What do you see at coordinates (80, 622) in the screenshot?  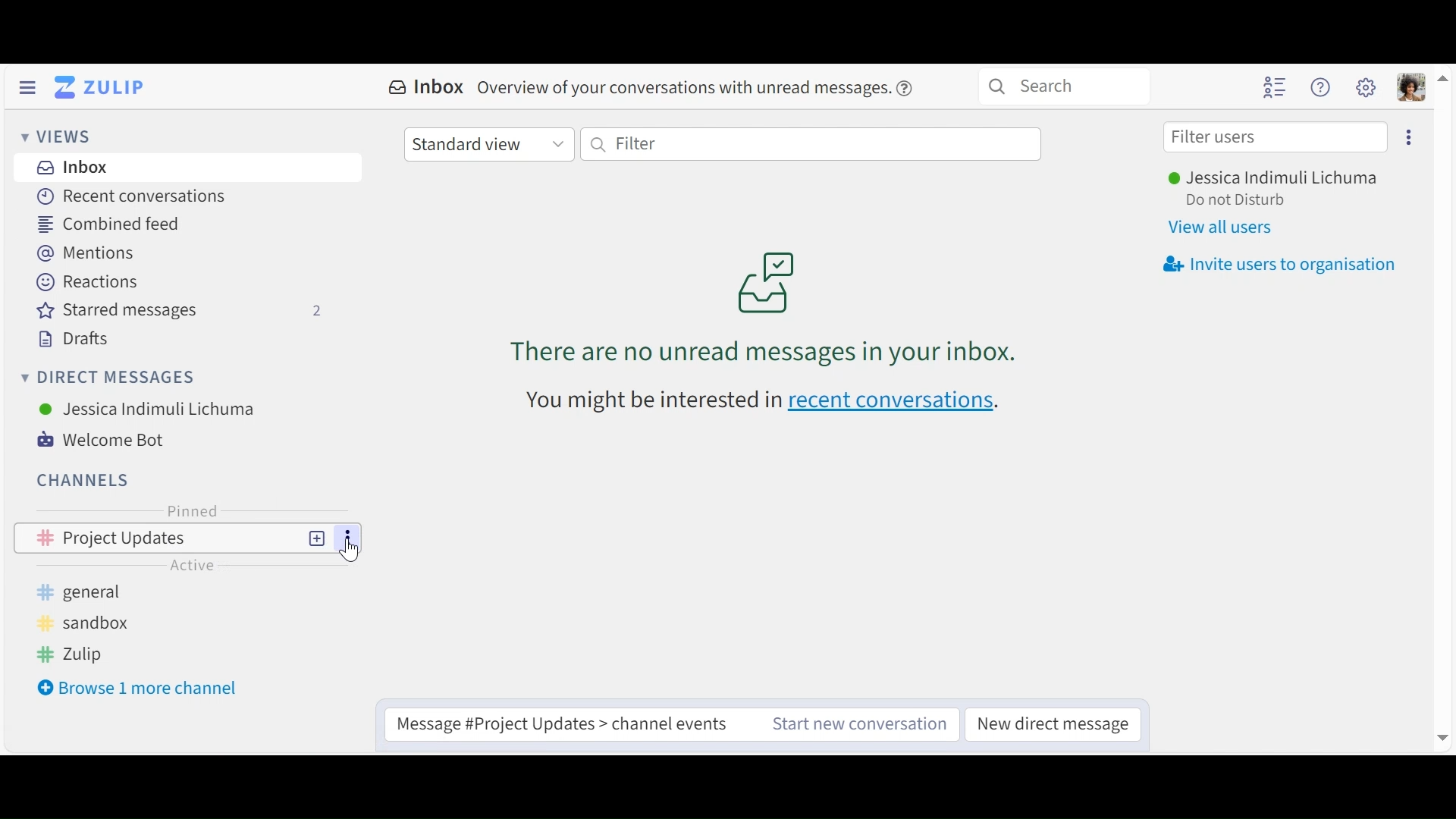 I see `sandbox` at bounding box center [80, 622].